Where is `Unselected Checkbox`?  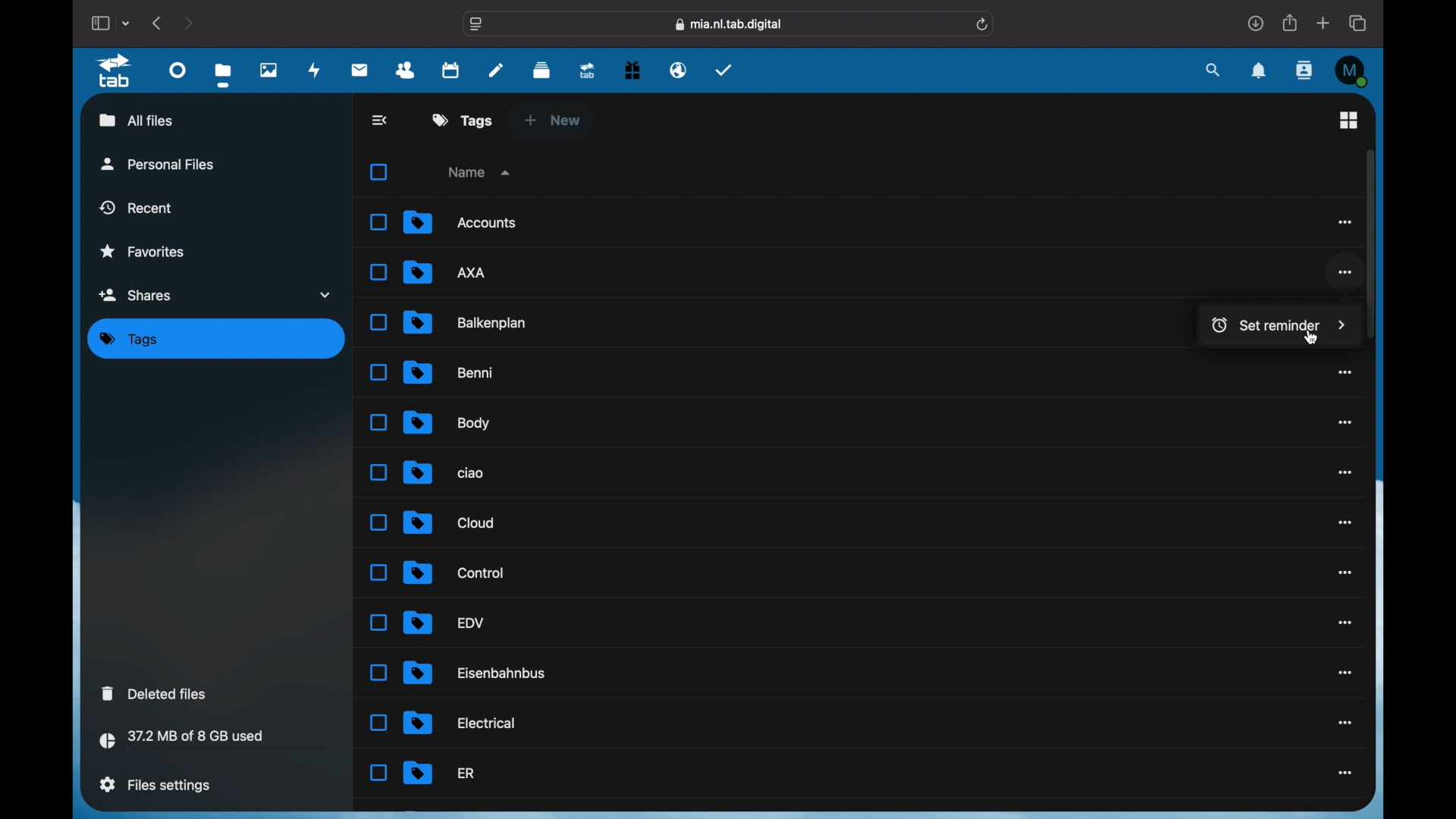 Unselected Checkbox is located at coordinates (377, 572).